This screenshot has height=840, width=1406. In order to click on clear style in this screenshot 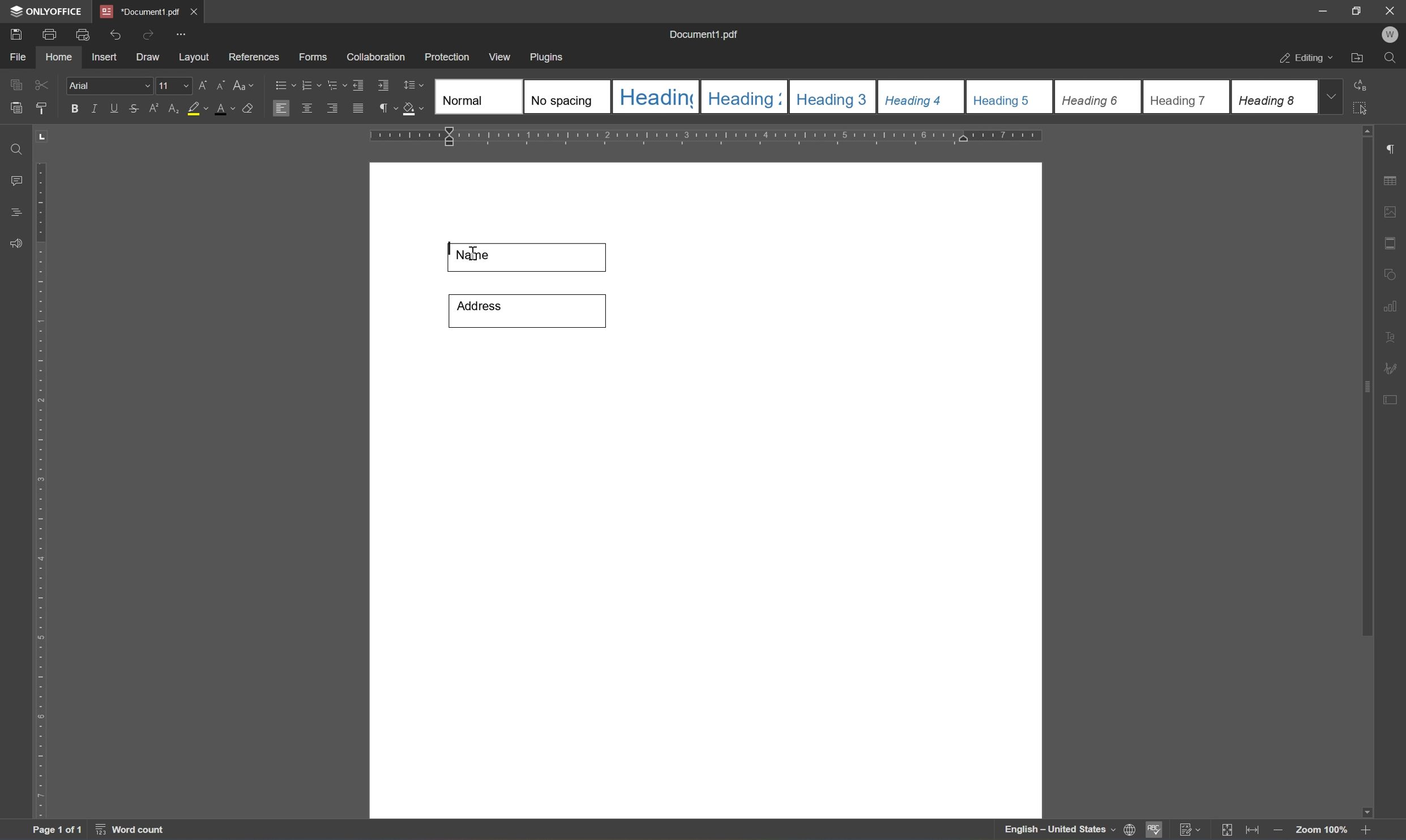, I will do `click(247, 109)`.